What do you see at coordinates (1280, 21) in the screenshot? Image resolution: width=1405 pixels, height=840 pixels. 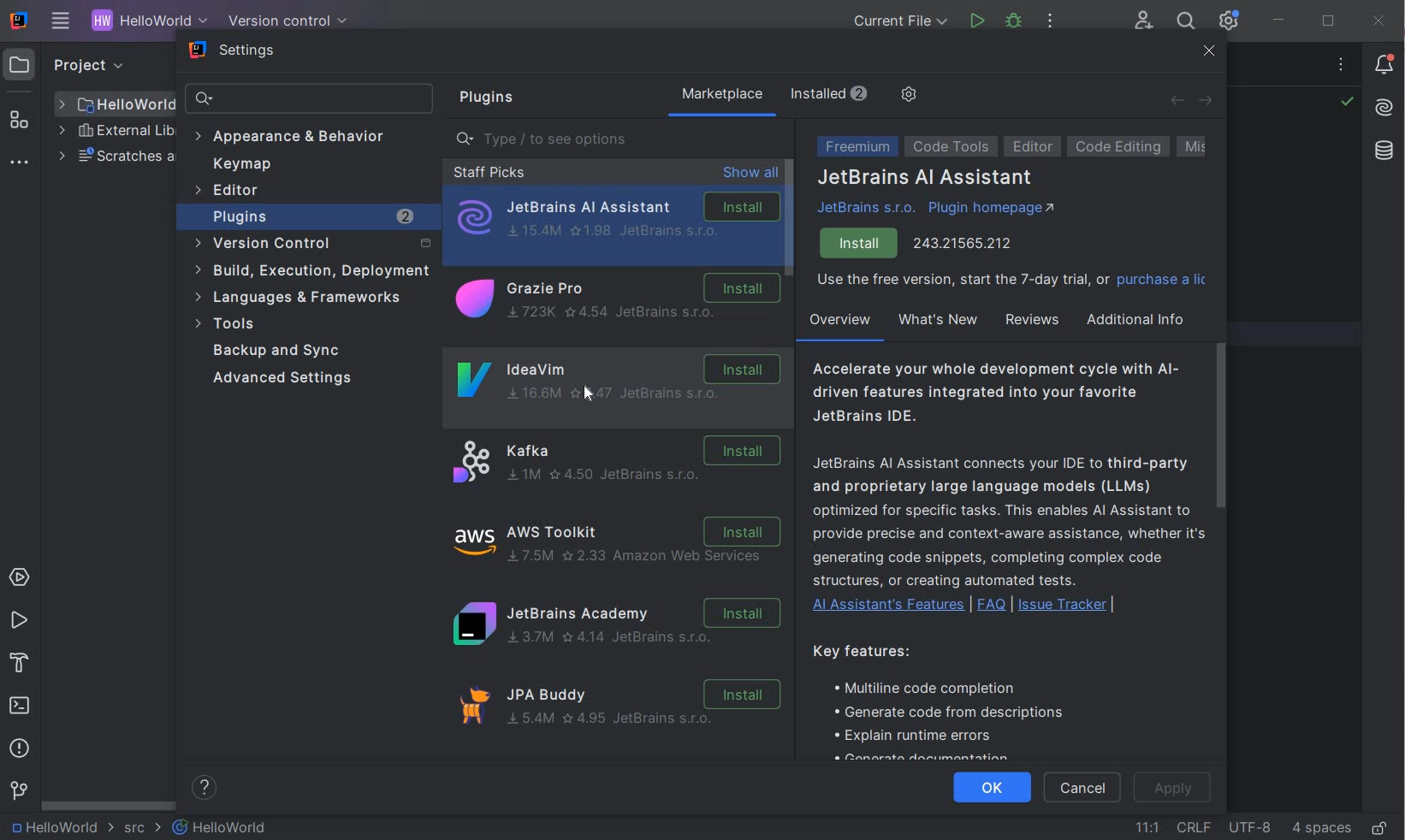 I see `minimize` at bounding box center [1280, 21].